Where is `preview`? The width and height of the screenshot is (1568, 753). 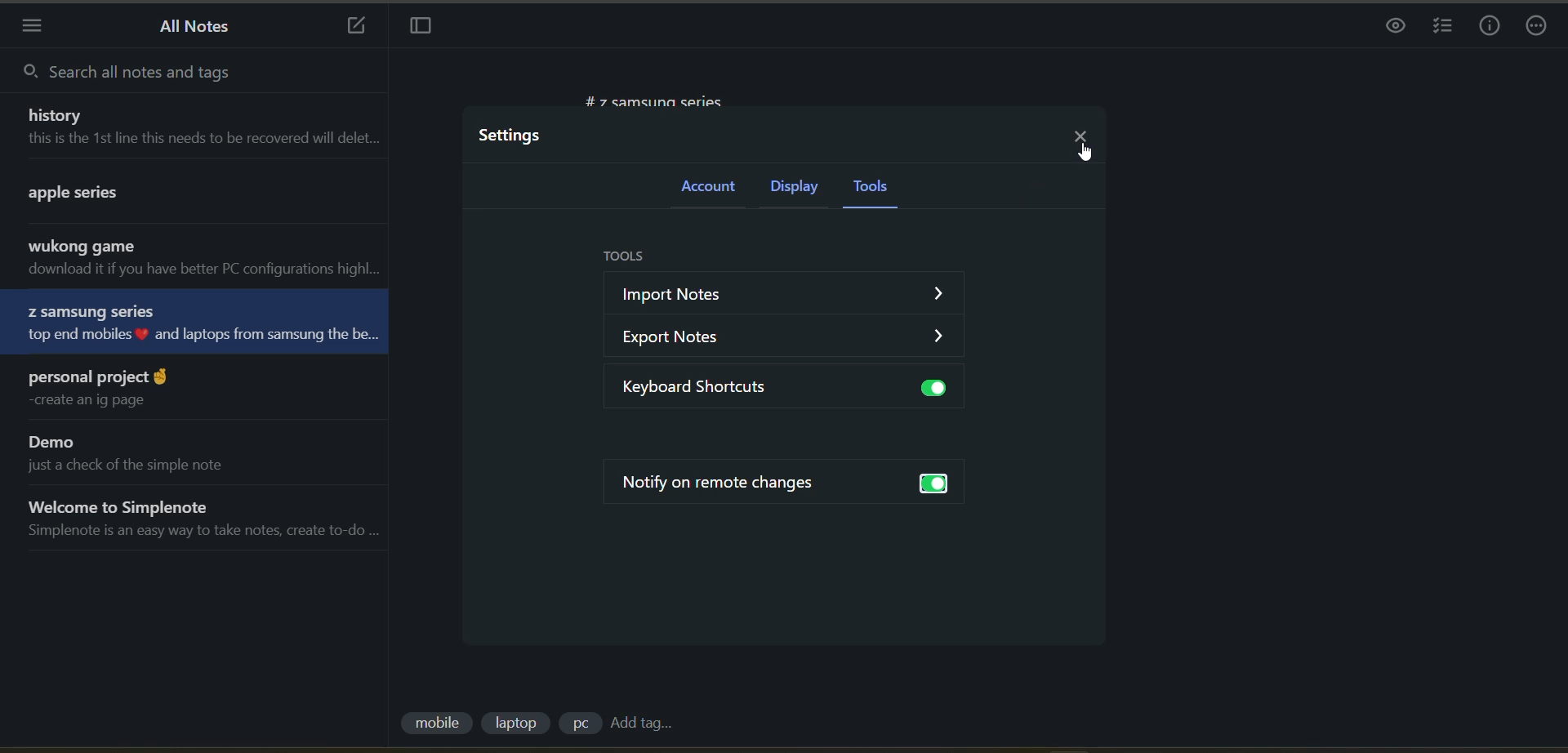
preview is located at coordinates (1391, 29).